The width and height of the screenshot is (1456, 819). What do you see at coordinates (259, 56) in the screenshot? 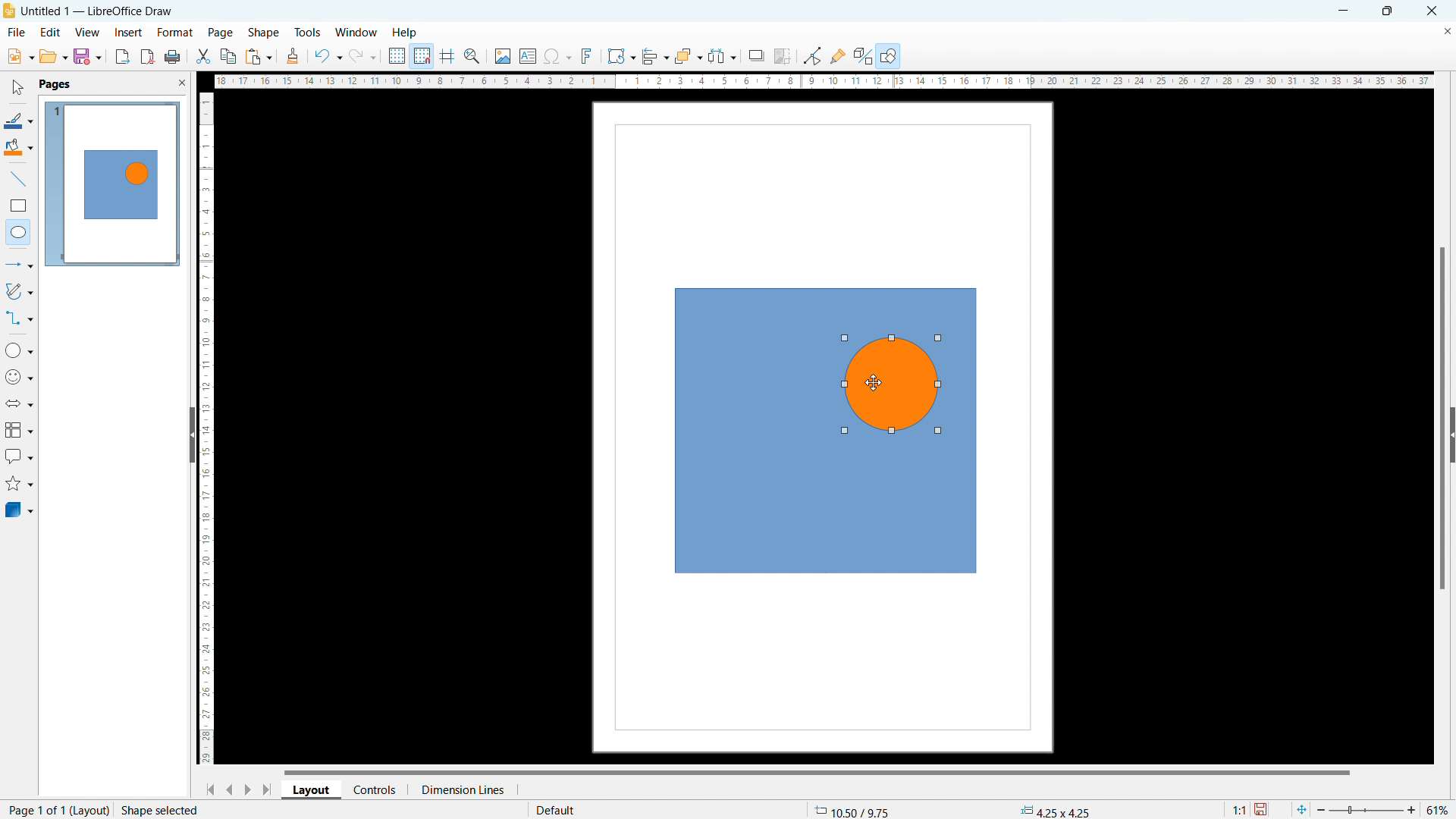
I see `paste` at bounding box center [259, 56].